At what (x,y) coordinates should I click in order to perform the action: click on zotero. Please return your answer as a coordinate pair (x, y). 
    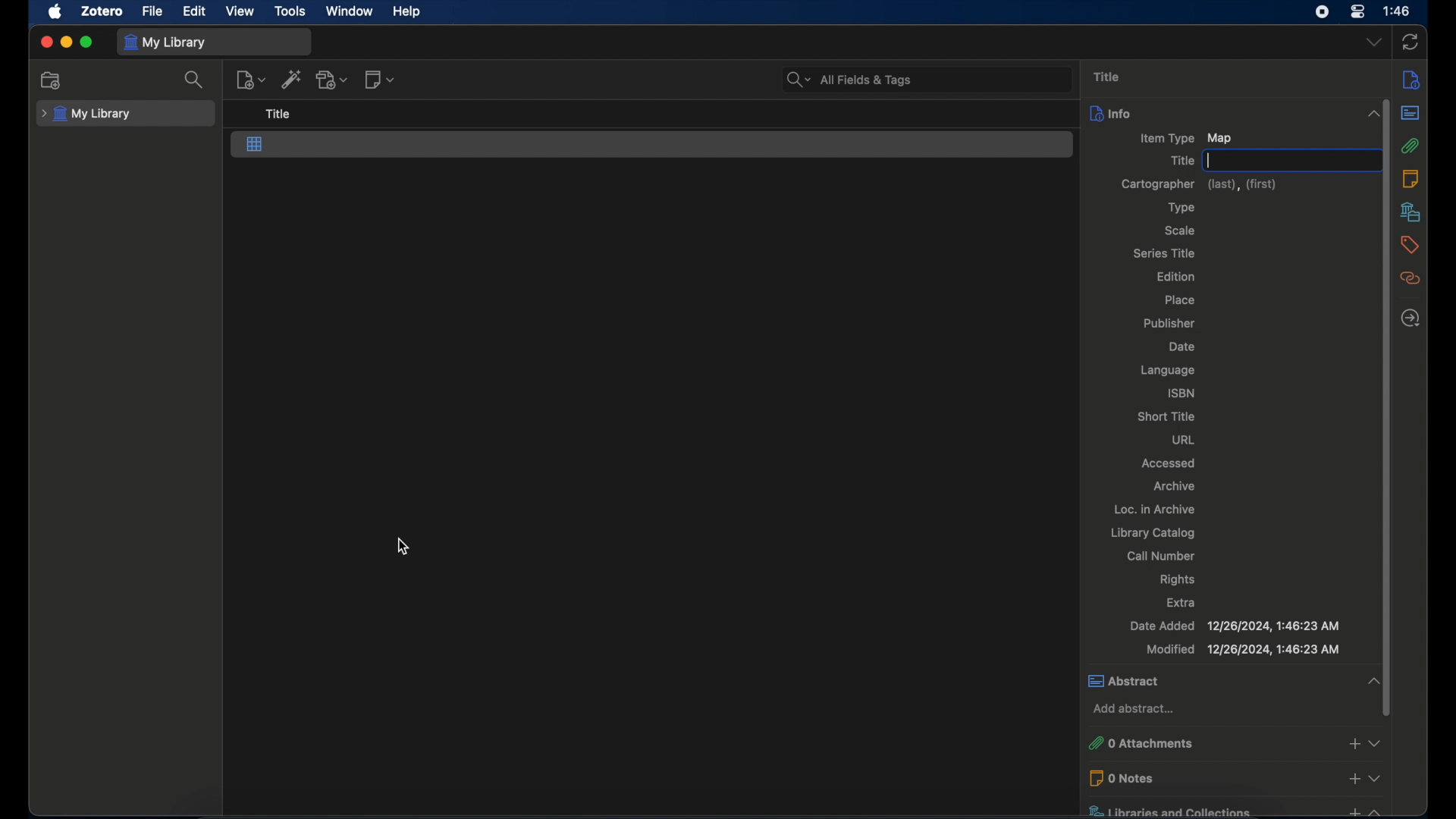
    Looking at the image, I should click on (102, 11).